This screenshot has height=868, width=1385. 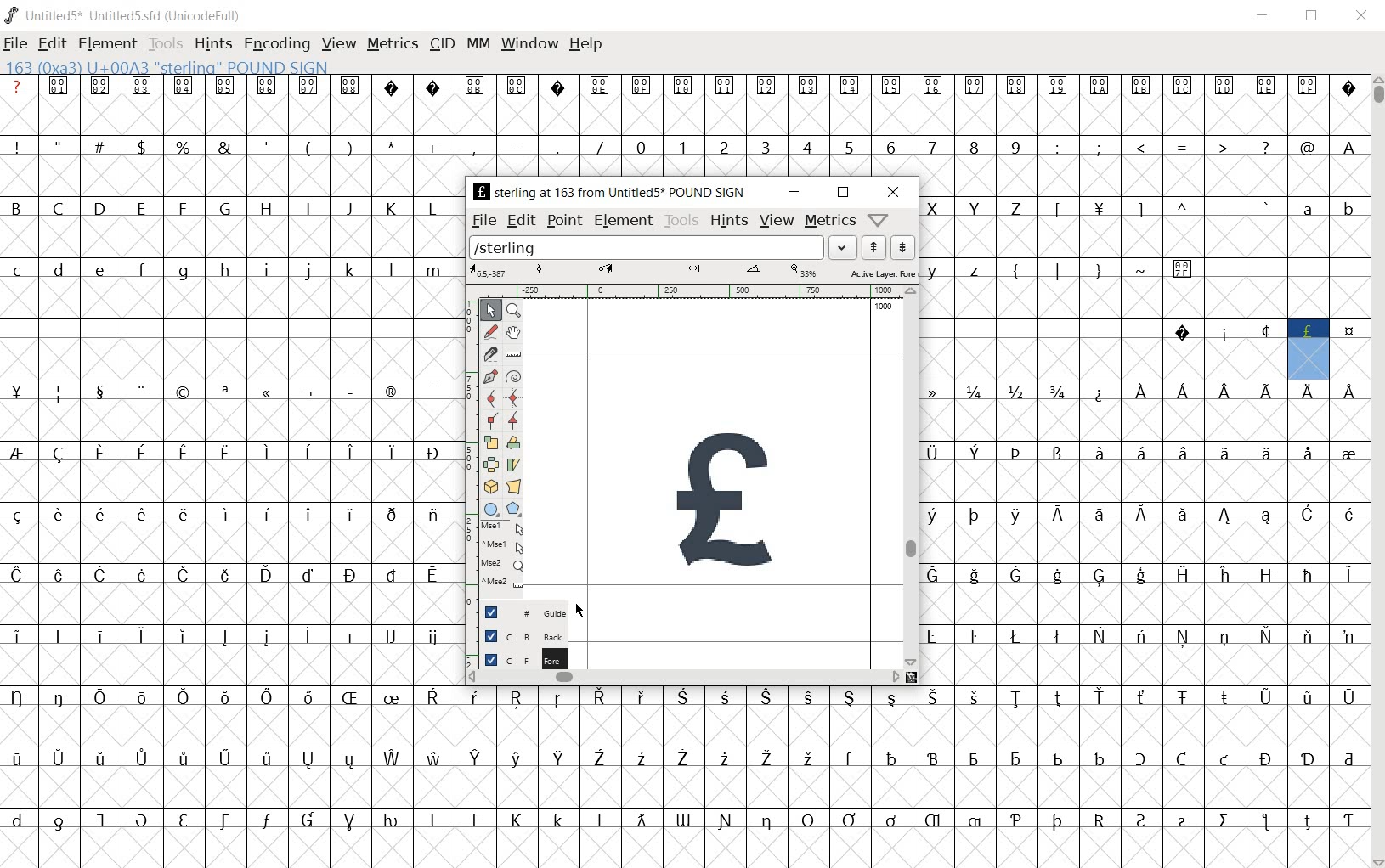 I want to click on Symbol, so click(x=1184, y=519).